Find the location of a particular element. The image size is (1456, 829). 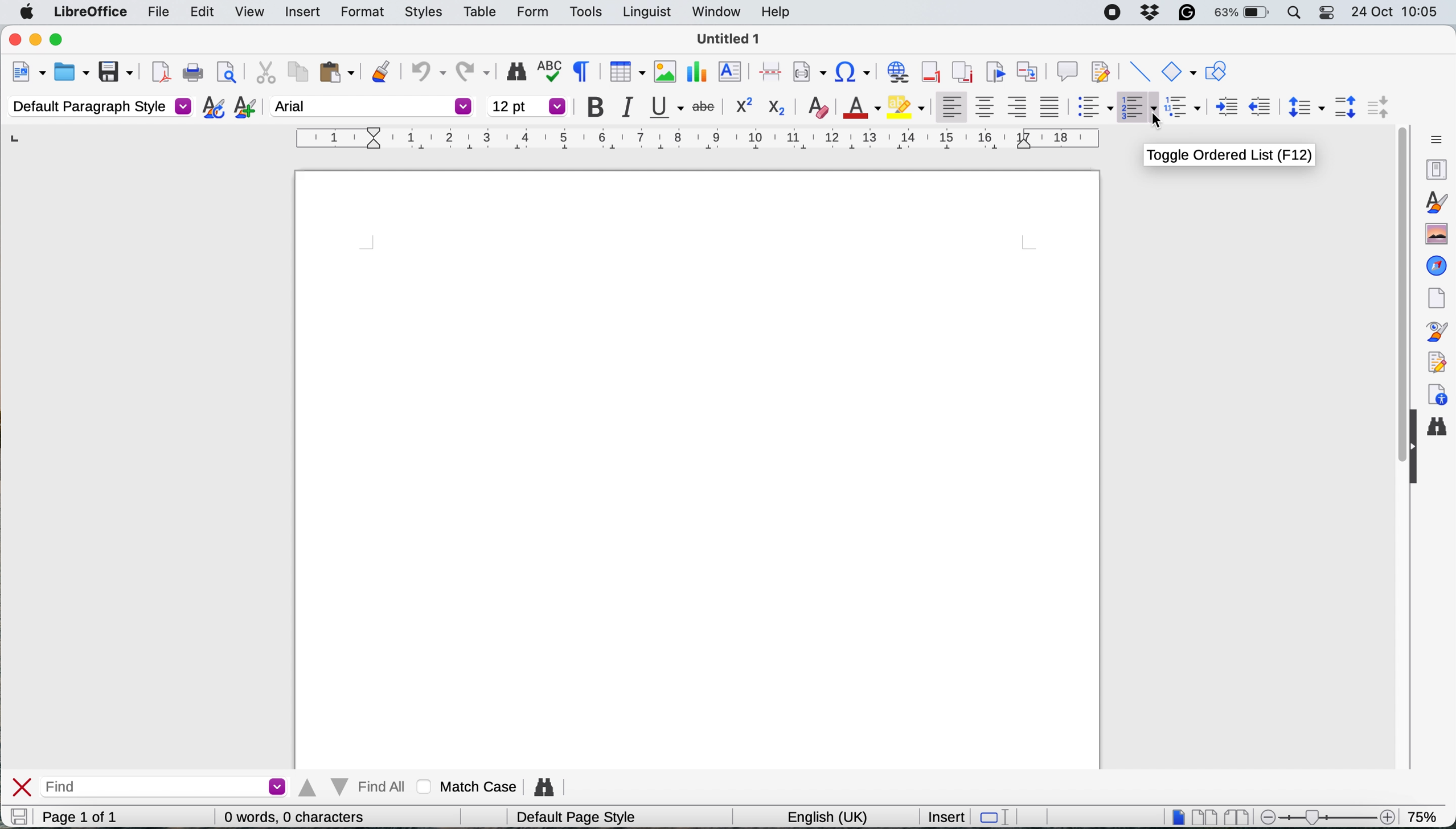

toggle unordered list is located at coordinates (1096, 109).